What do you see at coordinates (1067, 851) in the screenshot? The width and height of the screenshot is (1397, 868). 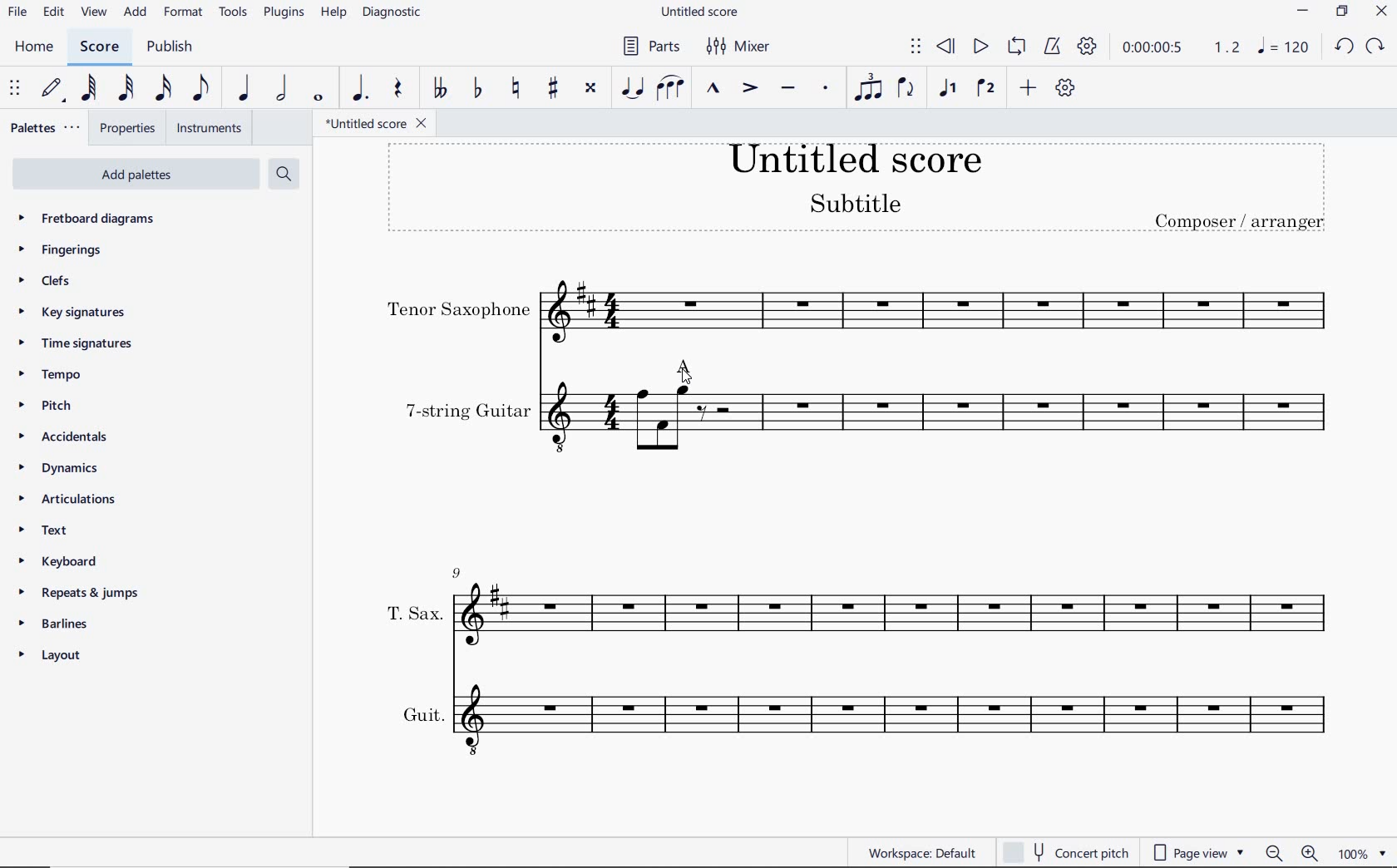 I see `CONCERT PITCH` at bounding box center [1067, 851].